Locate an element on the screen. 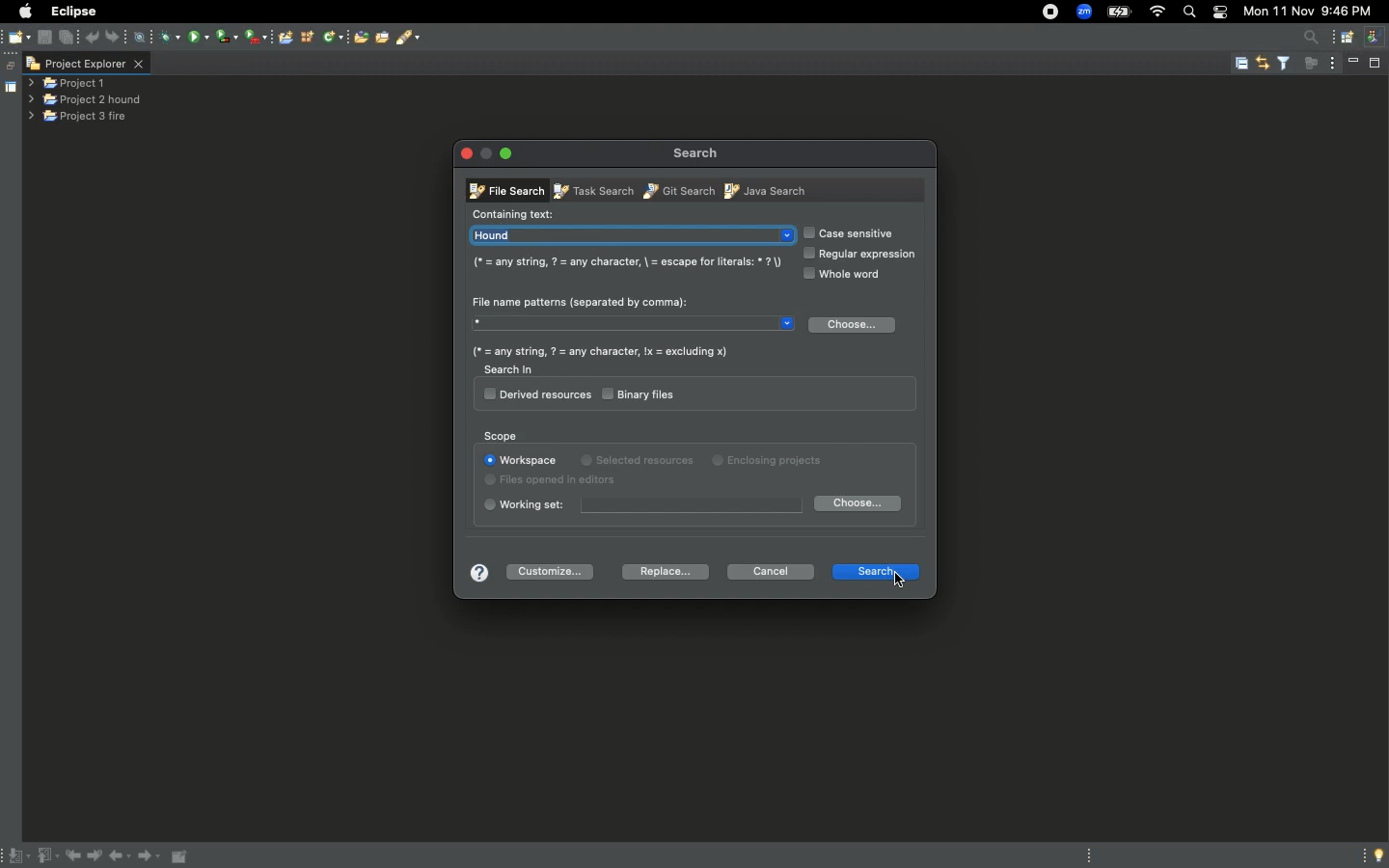  Forward is located at coordinates (150, 858).